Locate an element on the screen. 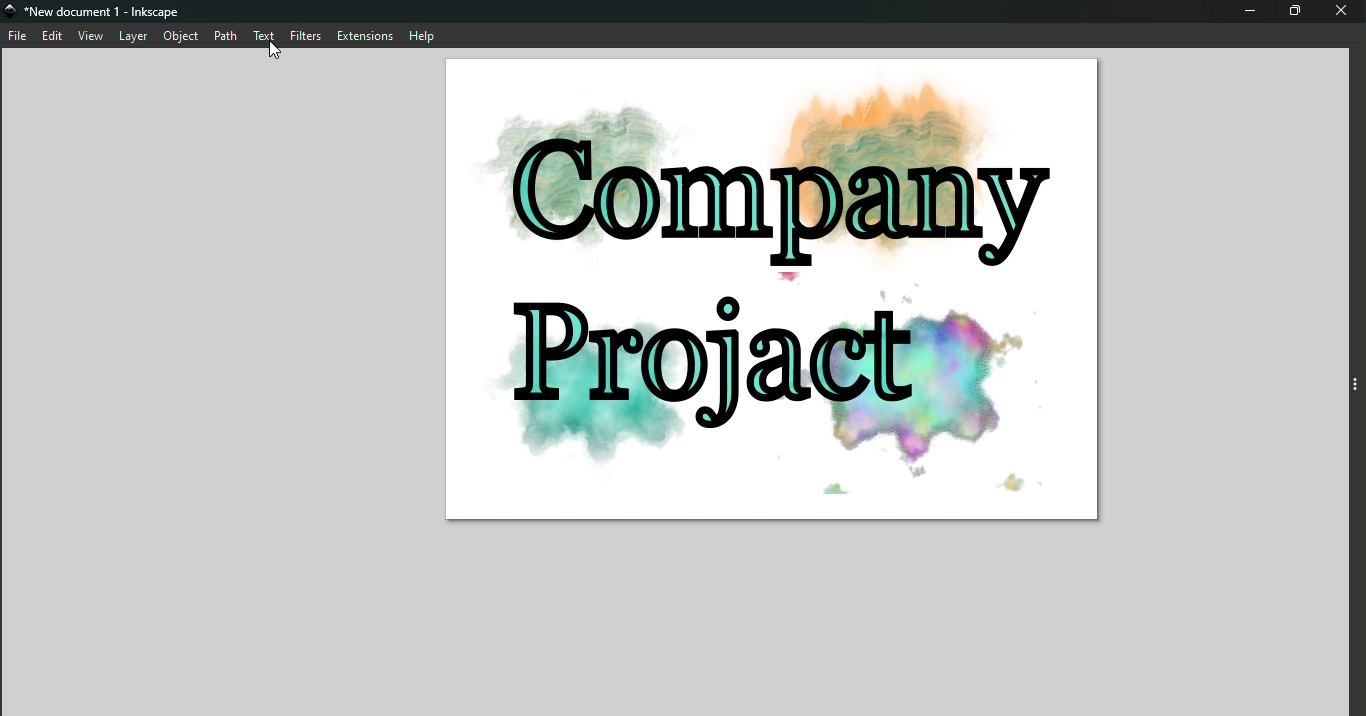 Image resolution: width=1366 pixels, height=716 pixels. layer is located at coordinates (134, 36).